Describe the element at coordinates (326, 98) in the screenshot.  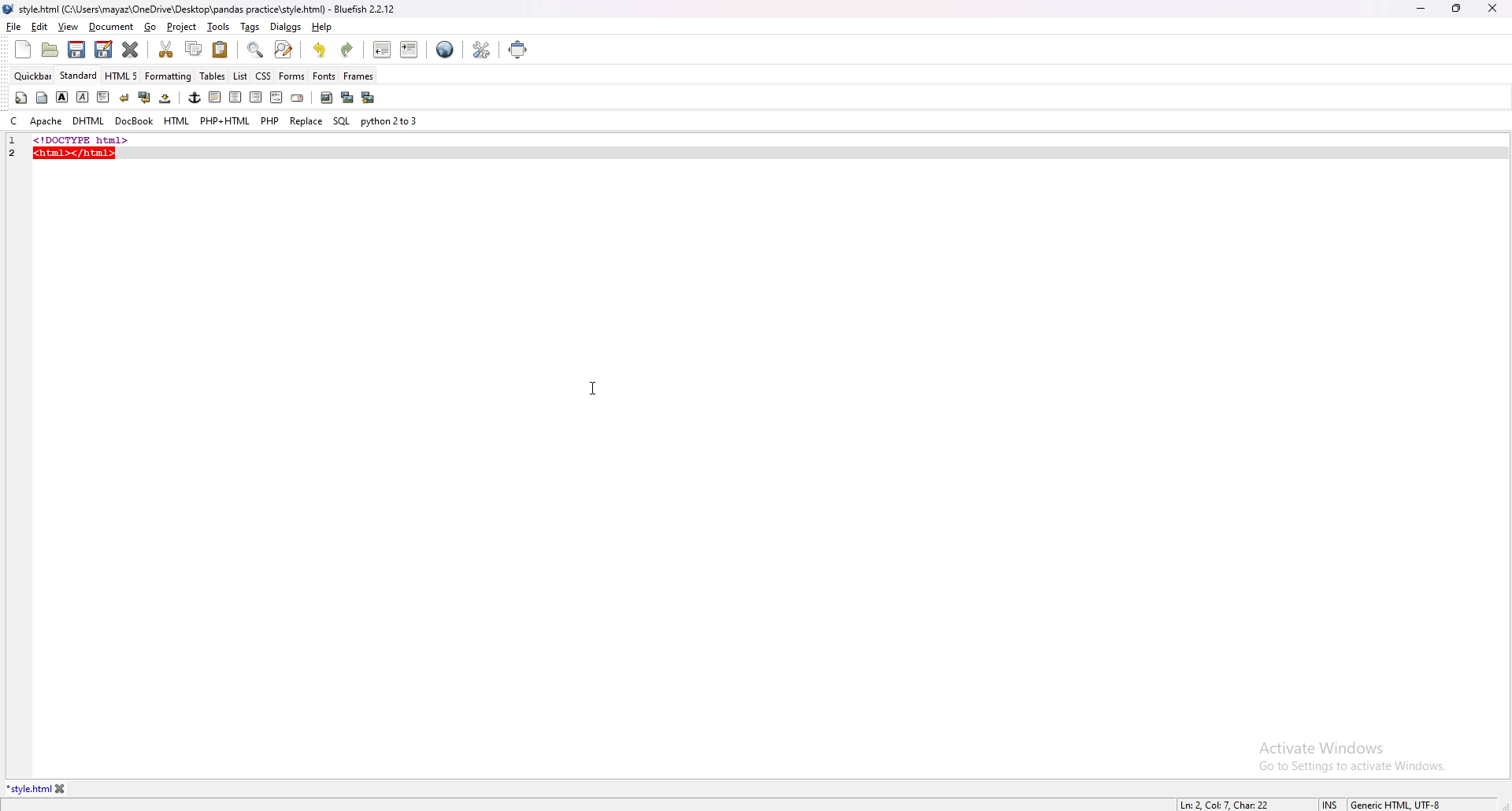
I see `insert image` at that location.